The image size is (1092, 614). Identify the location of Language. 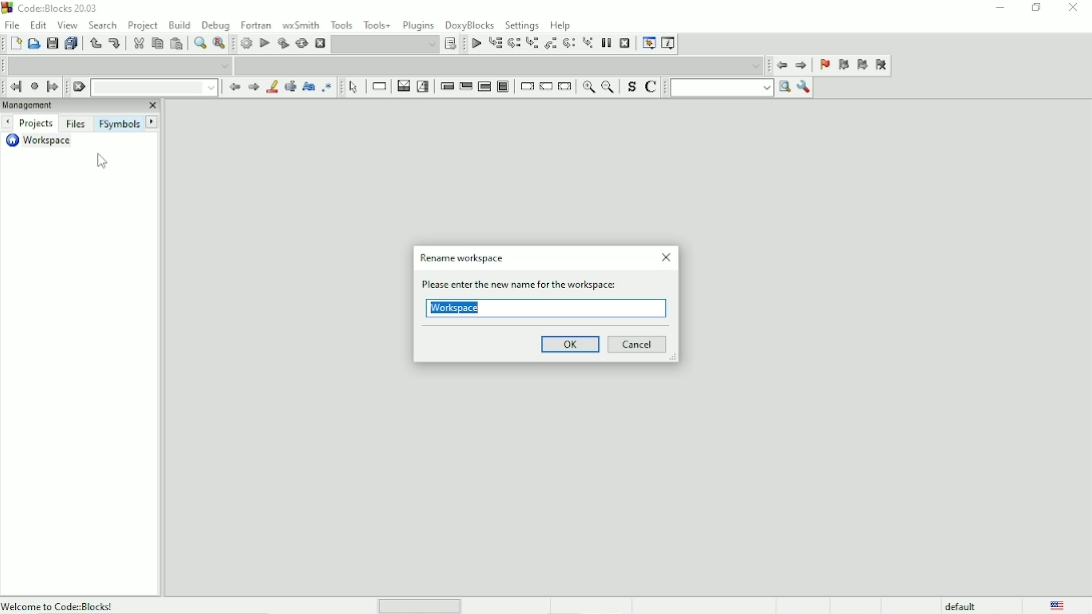
(1057, 605).